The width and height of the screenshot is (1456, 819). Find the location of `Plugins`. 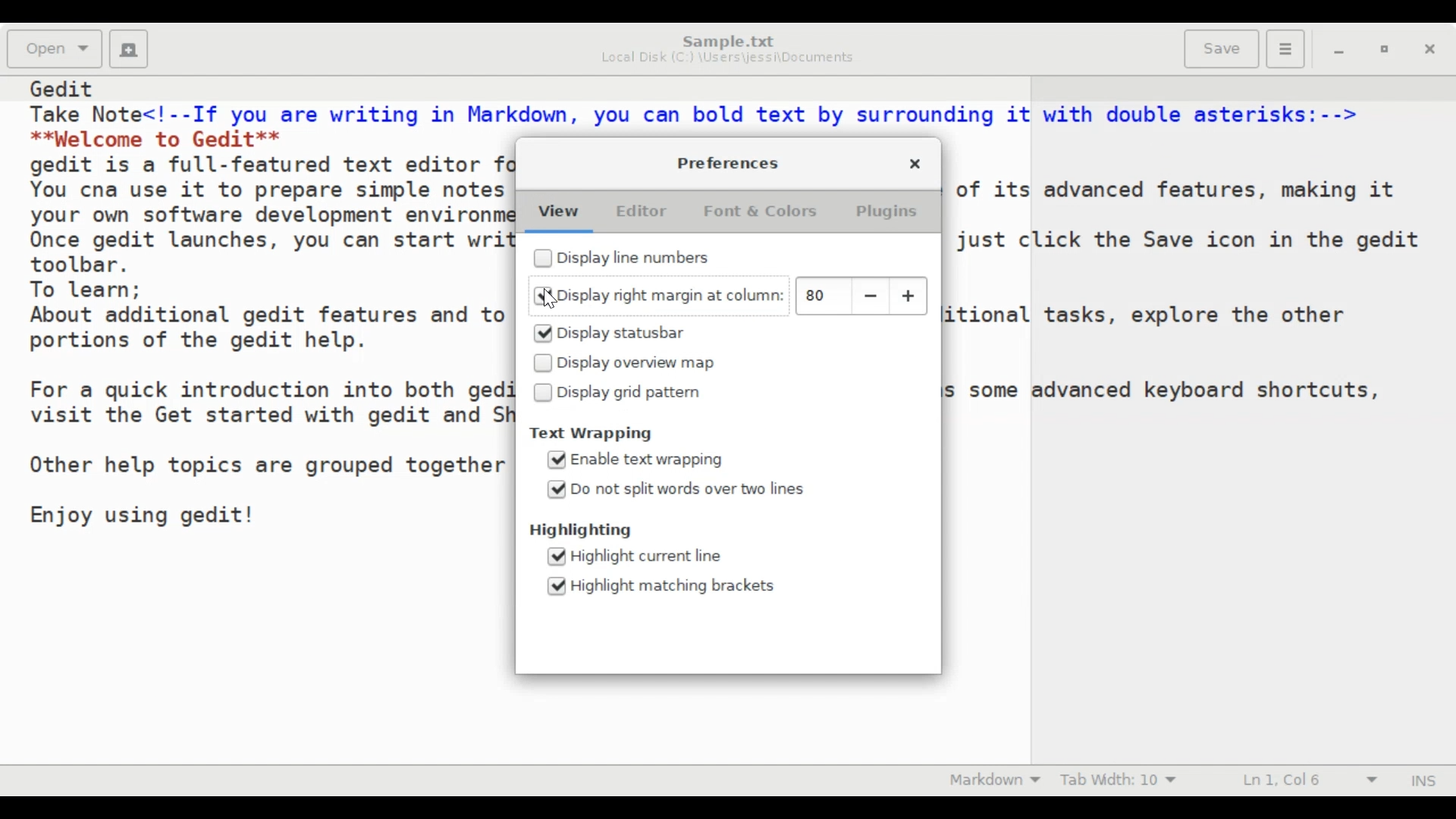

Plugins is located at coordinates (889, 211).